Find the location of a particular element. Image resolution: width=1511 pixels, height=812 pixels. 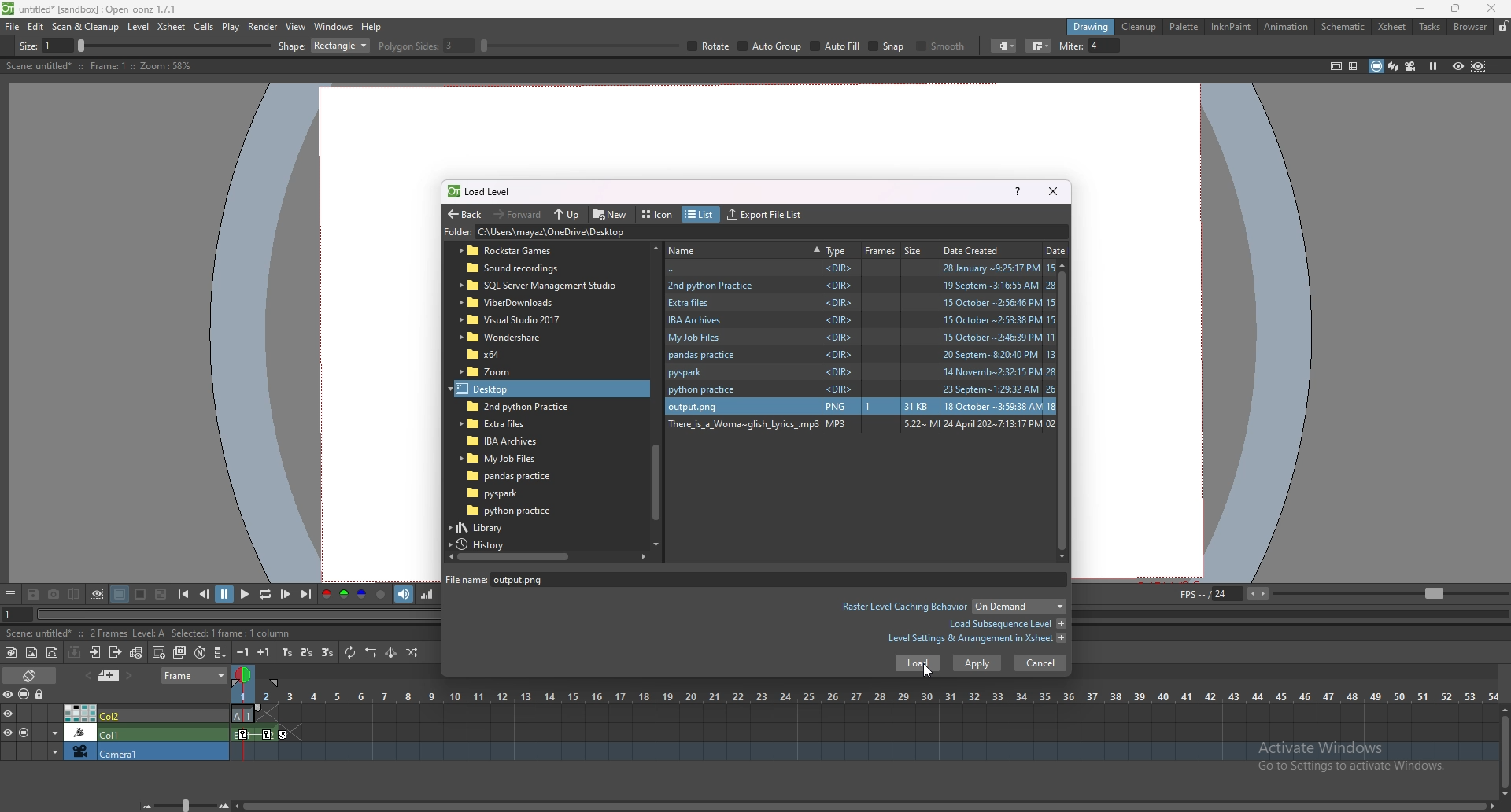

folder is located at coordinates (860, 284).